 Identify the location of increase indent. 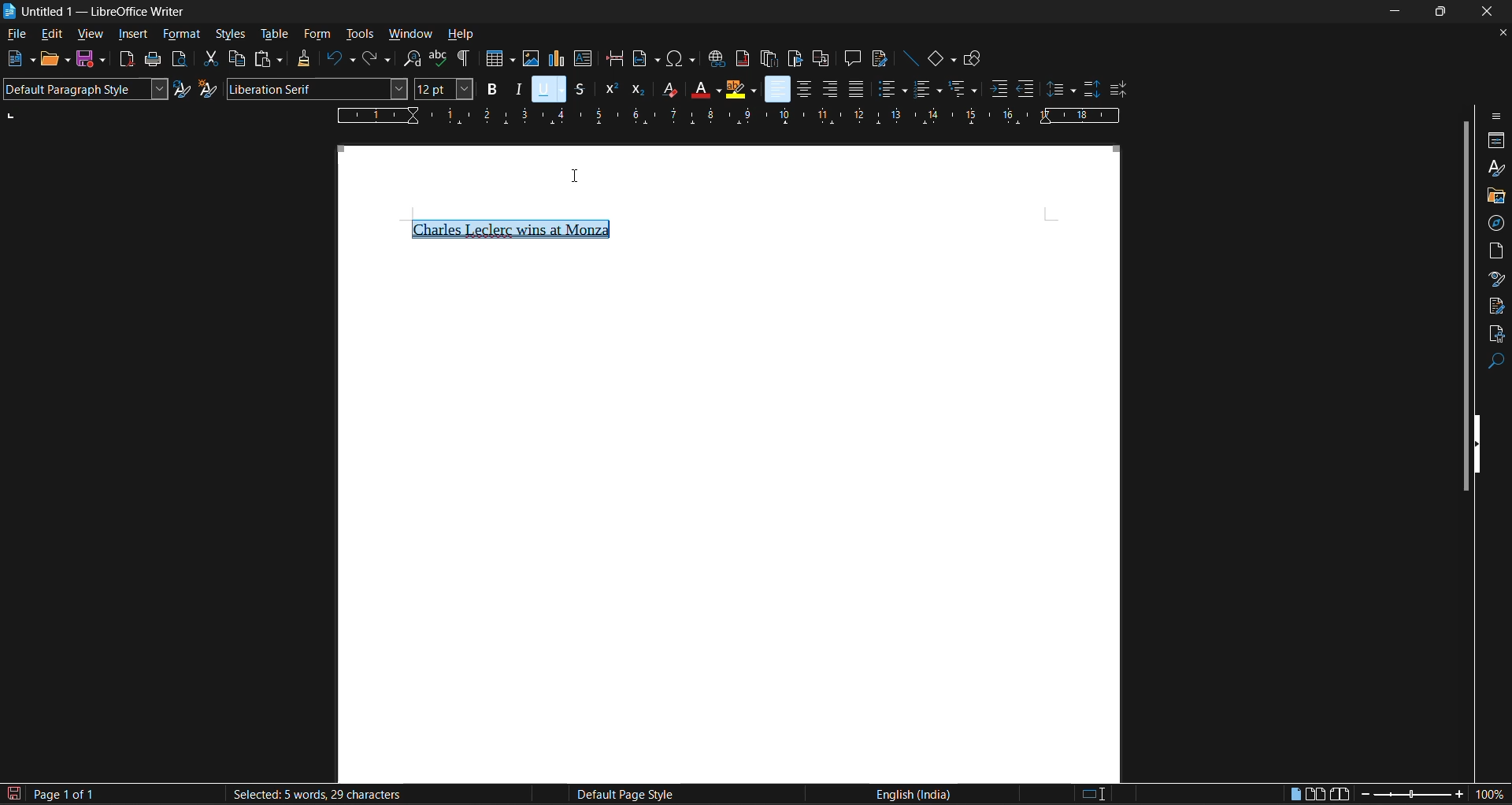
(1000, 88).